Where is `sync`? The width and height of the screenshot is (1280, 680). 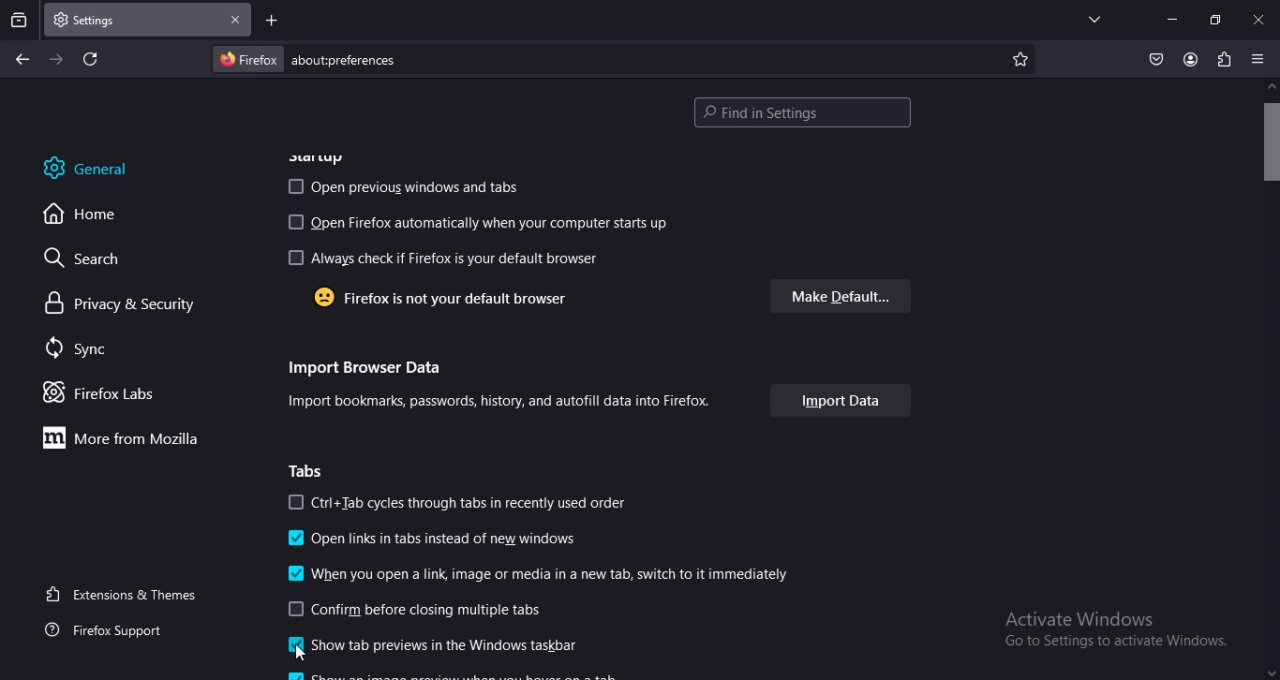
sync is located at coordinates (78, 351).